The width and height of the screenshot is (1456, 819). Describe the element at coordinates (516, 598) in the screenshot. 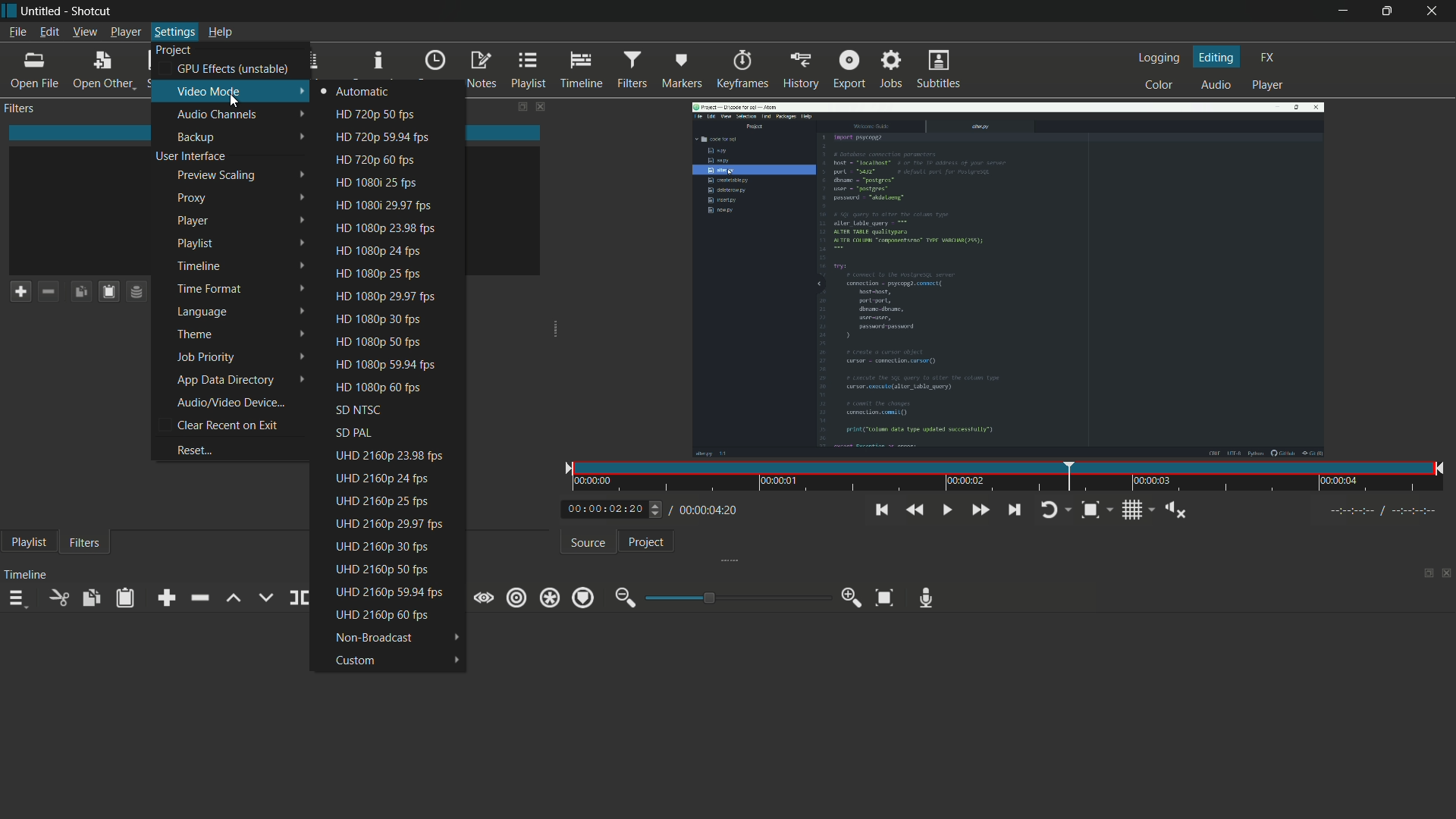

I see `ripple` at that location.